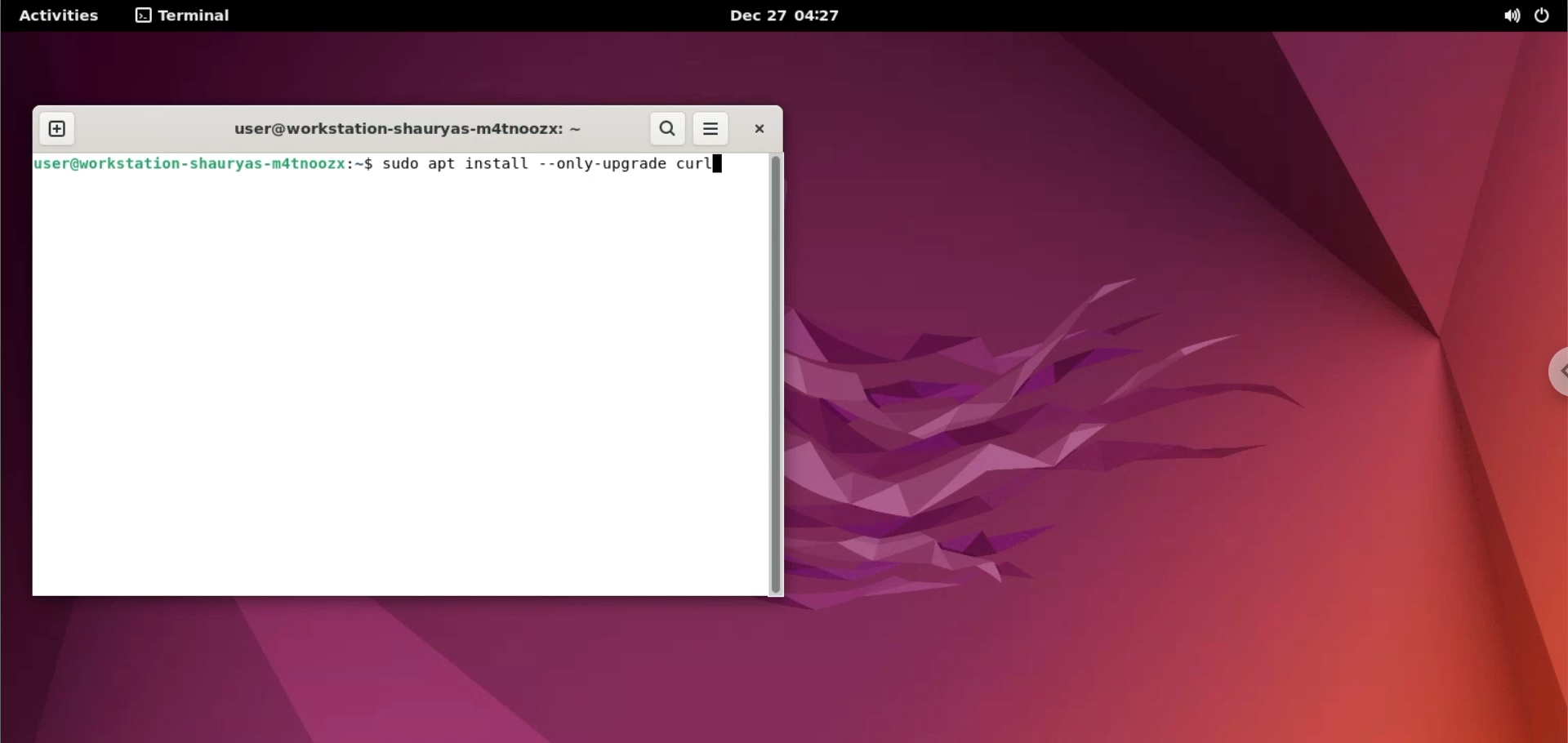 Image resolution: width=1568 pixels, height=743 pixels. What do you see at coordinates (60, 15) in the screenshot?
I see `Activities` at bounding box center [60, 15].